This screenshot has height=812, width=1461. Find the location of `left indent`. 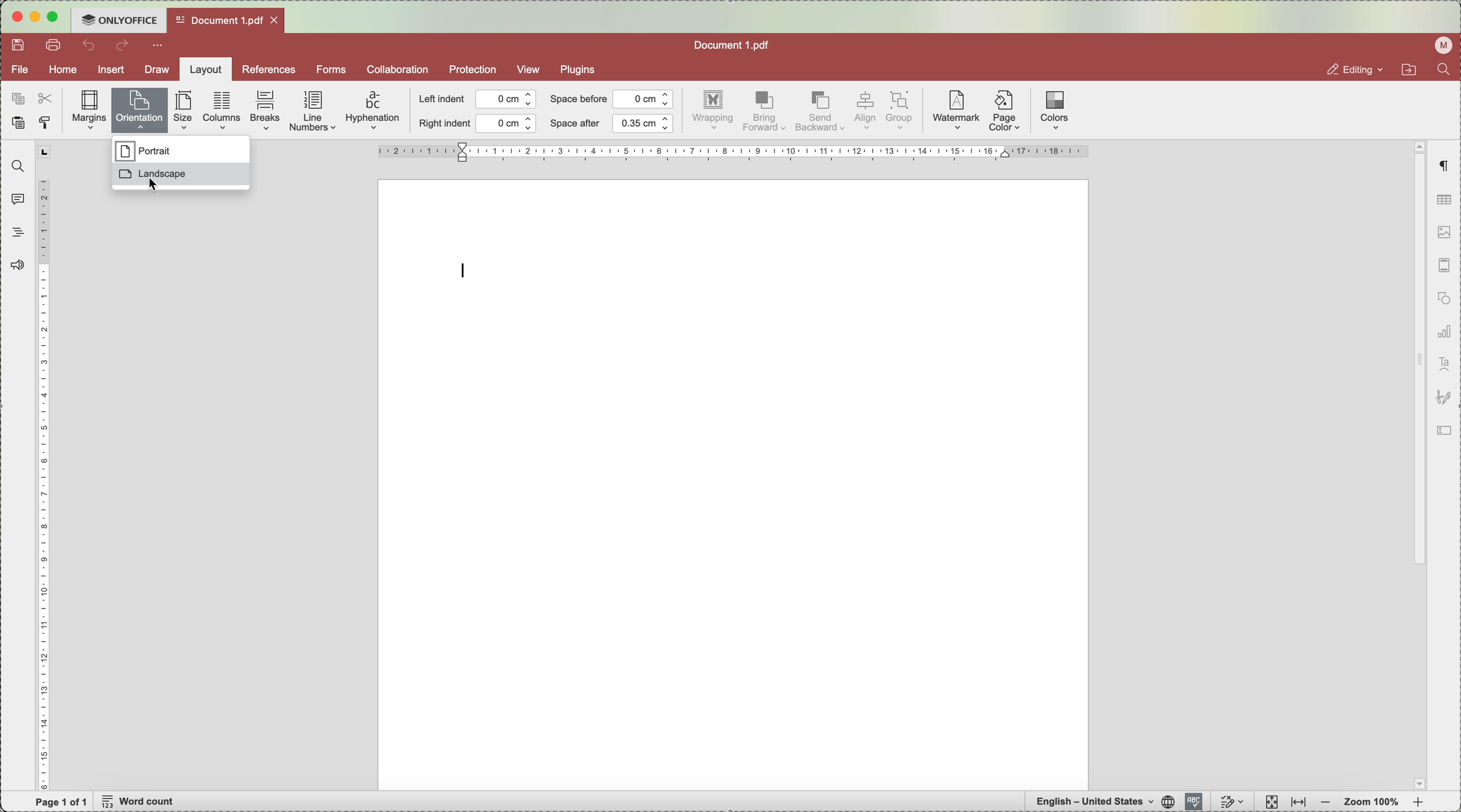

left indent is located at coordinates (478, 100).